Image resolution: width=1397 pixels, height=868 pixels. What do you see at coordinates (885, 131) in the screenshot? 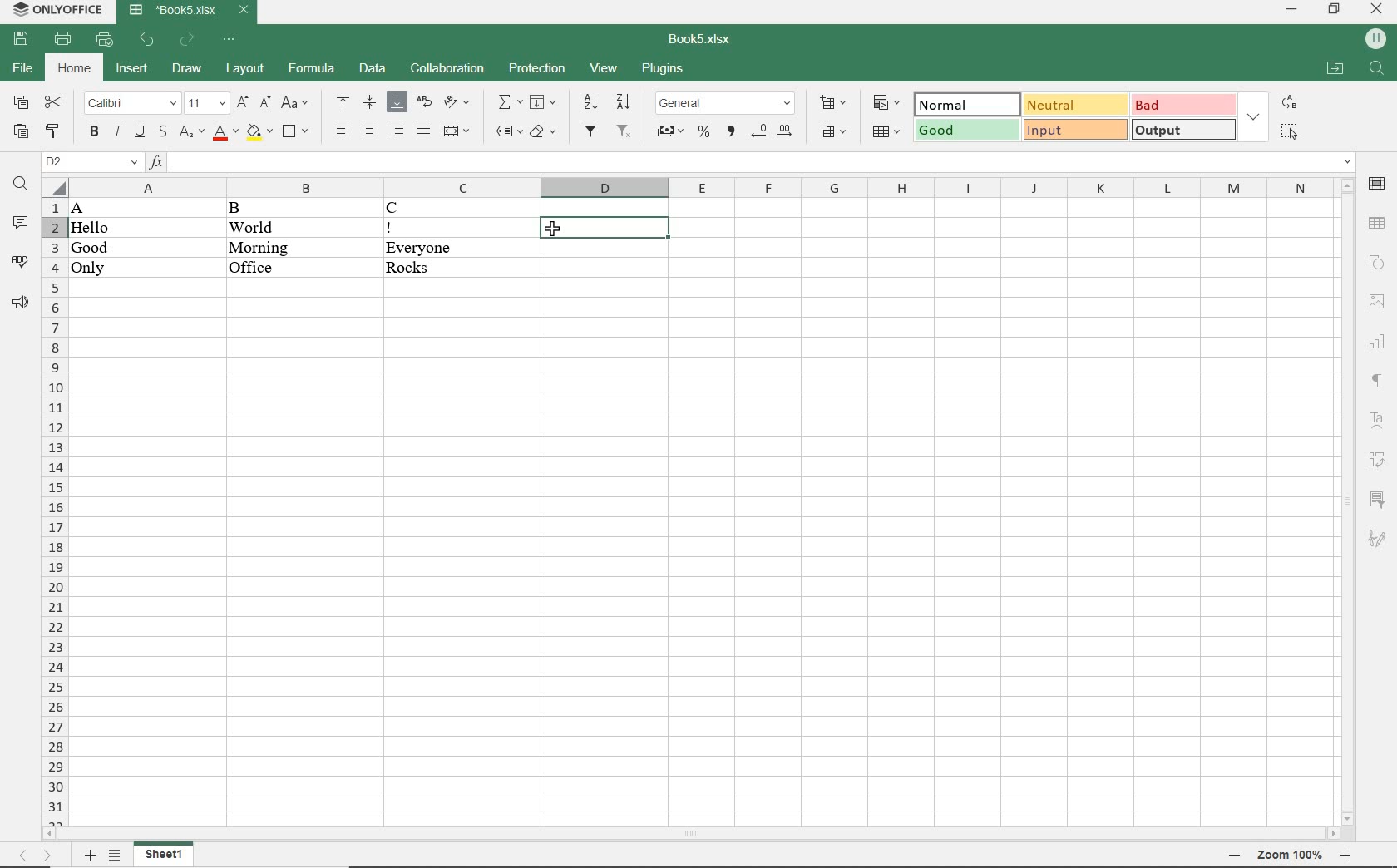
I see `format as table` at bounding box center [885, 131].